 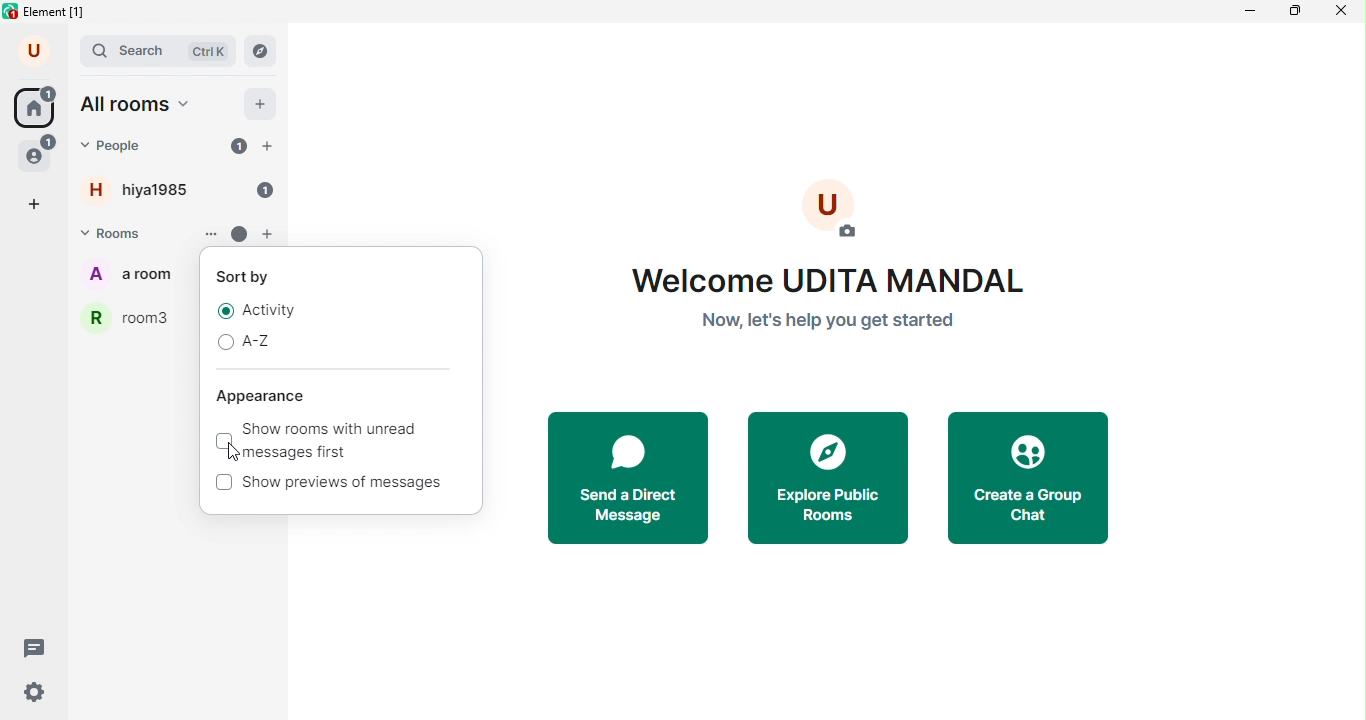 I want to click on sort by, so click(x=249, y=278).